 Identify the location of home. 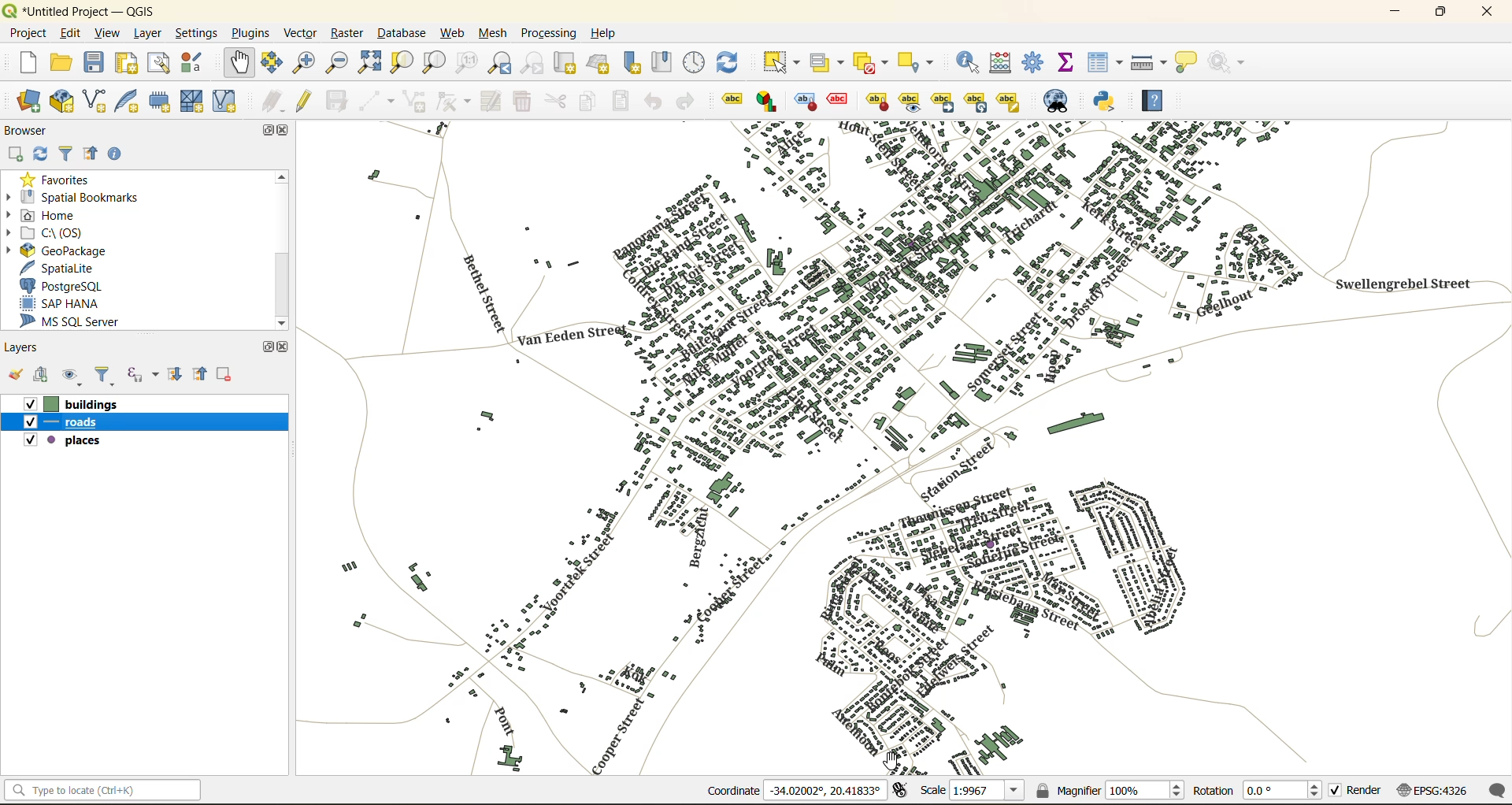
(50, 215).